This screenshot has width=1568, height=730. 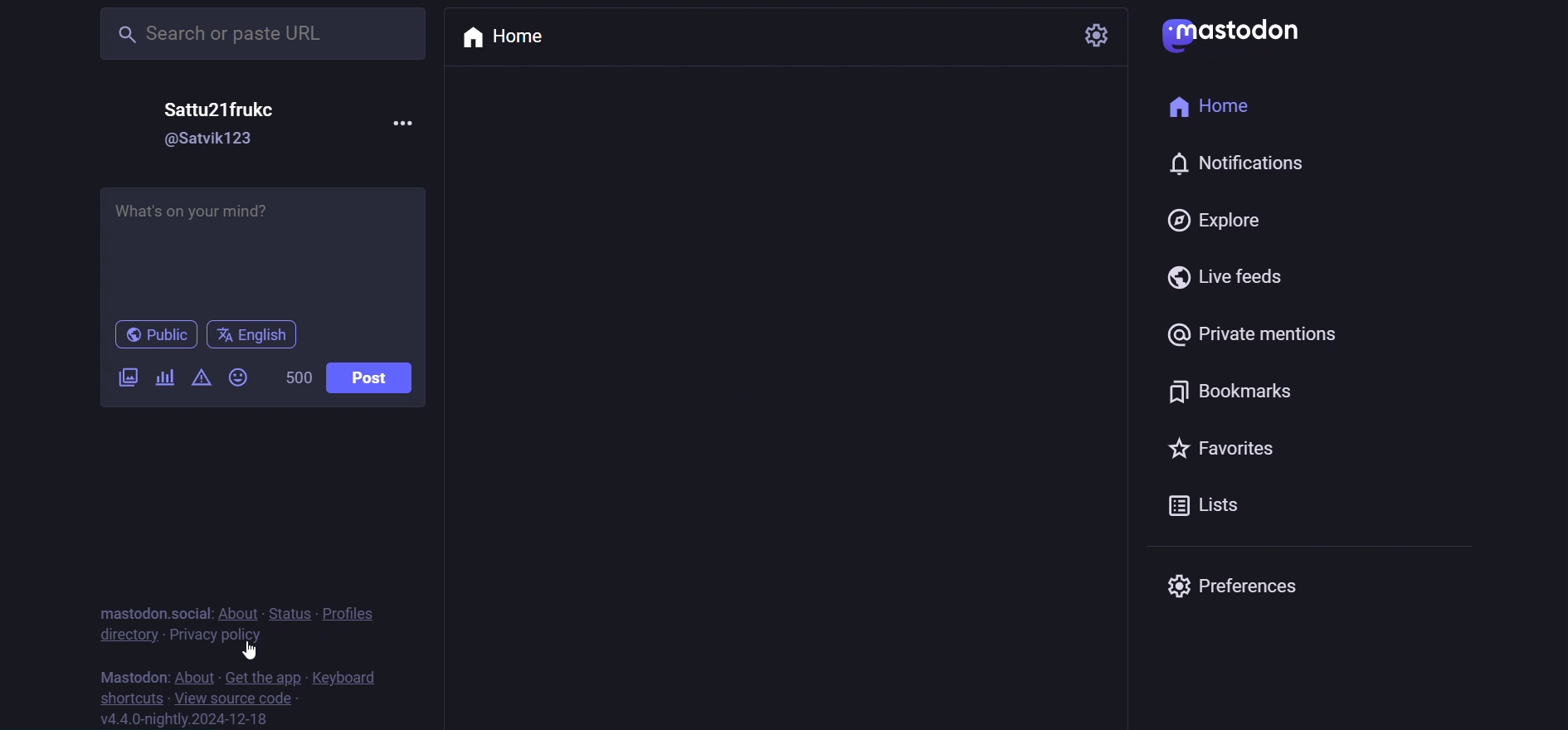 What do you see at coordinates (218, 636) in the screenshot?
I see `privacy policy` at bounding box center [218, 636].